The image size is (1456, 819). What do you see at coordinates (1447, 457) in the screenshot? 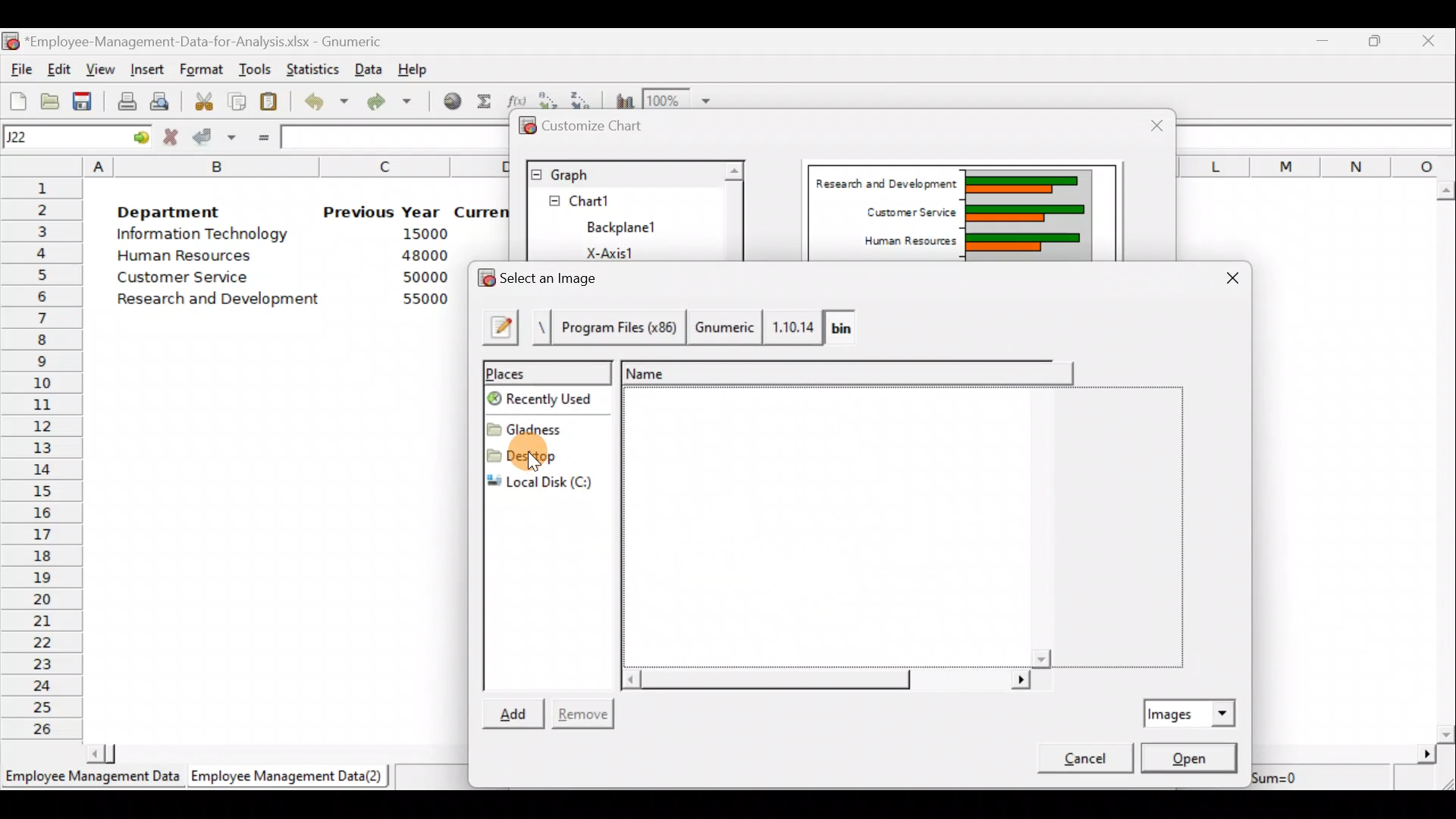
I see `Scroll bar` at bounding box center [1447, 457].